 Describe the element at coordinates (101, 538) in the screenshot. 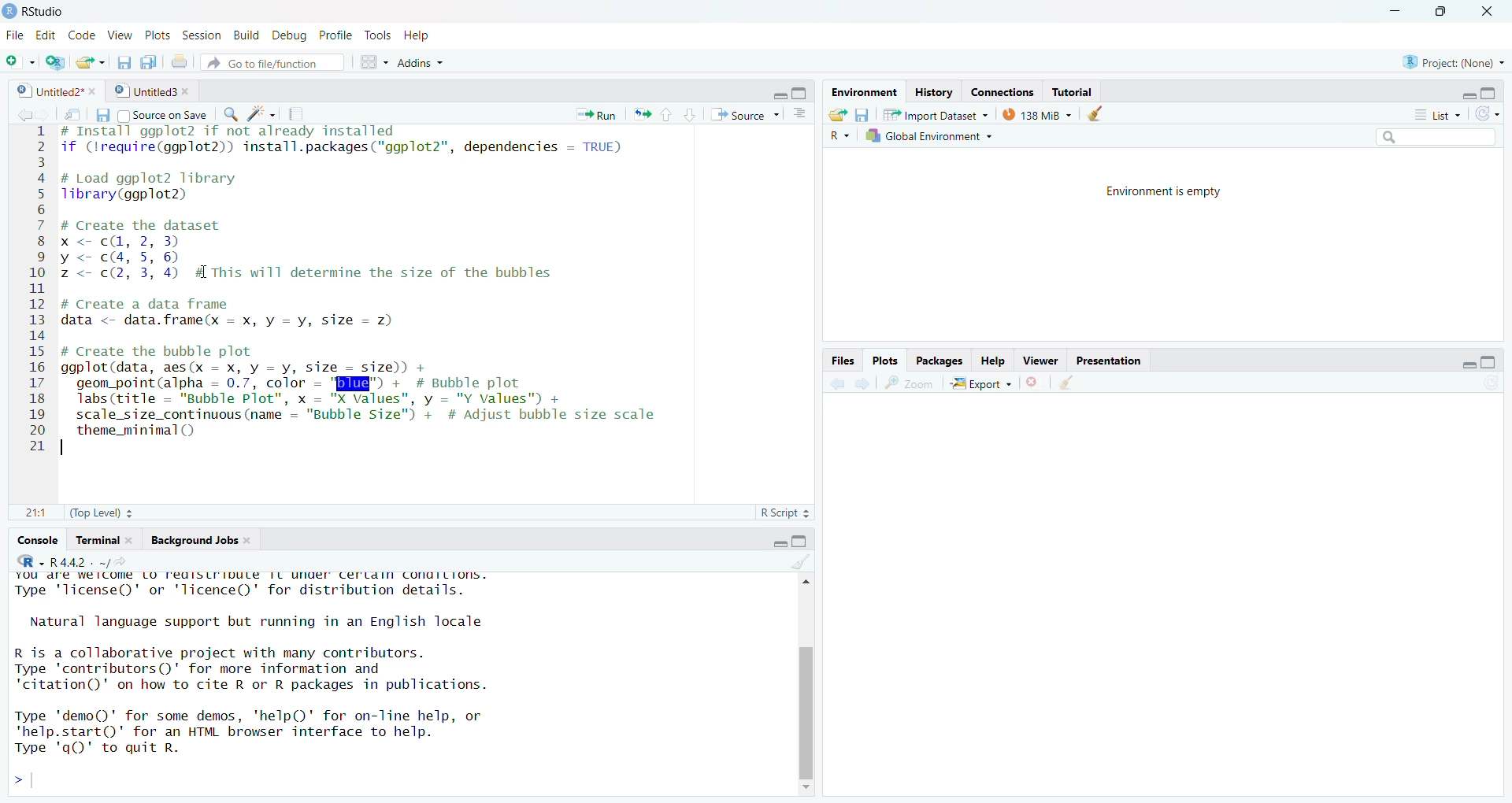

I see `Terminal` at that location.